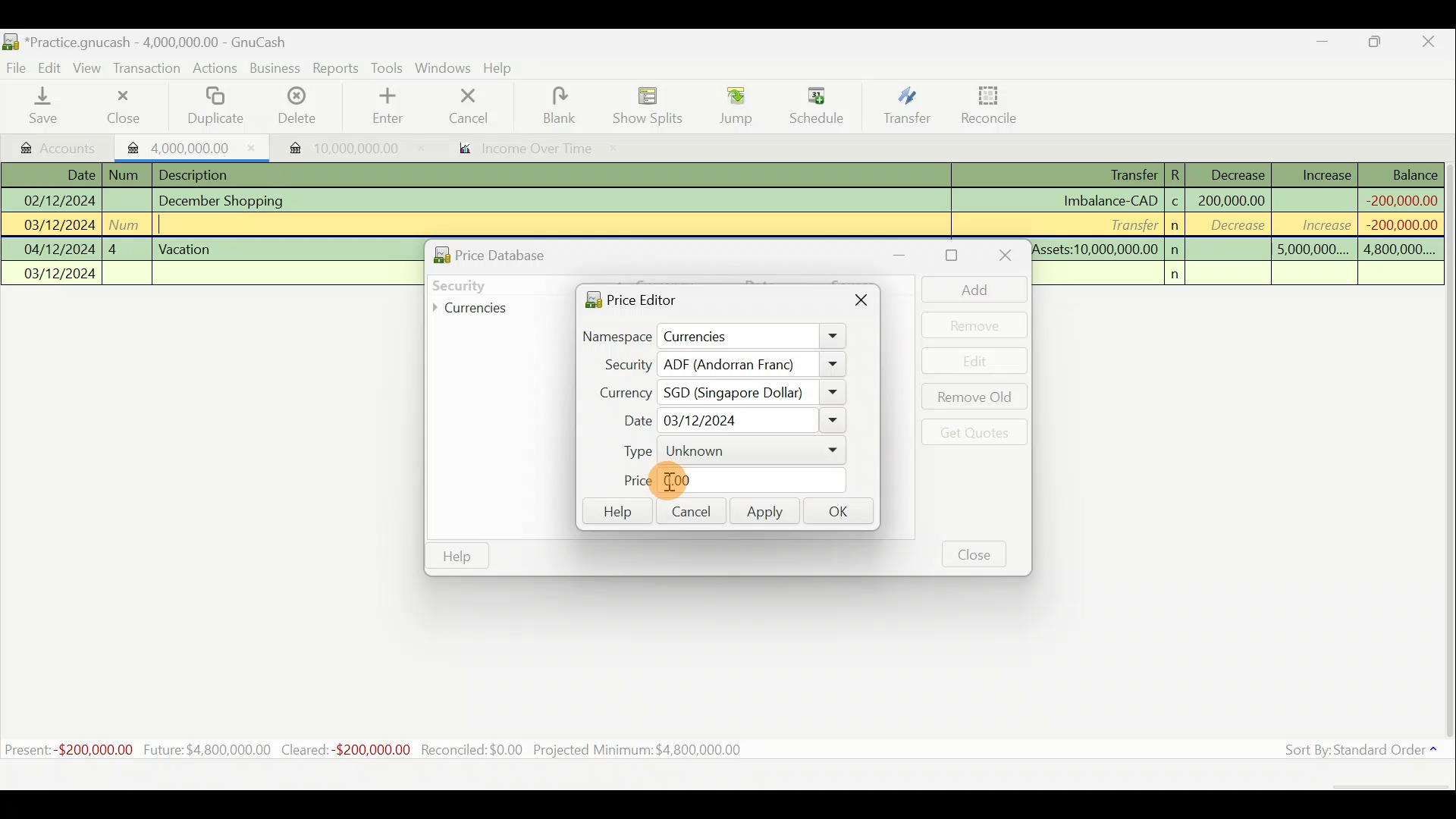 The width and height of the screenshot is (1456, 819). I want to click on 4,800,000, so click(1398, 250).